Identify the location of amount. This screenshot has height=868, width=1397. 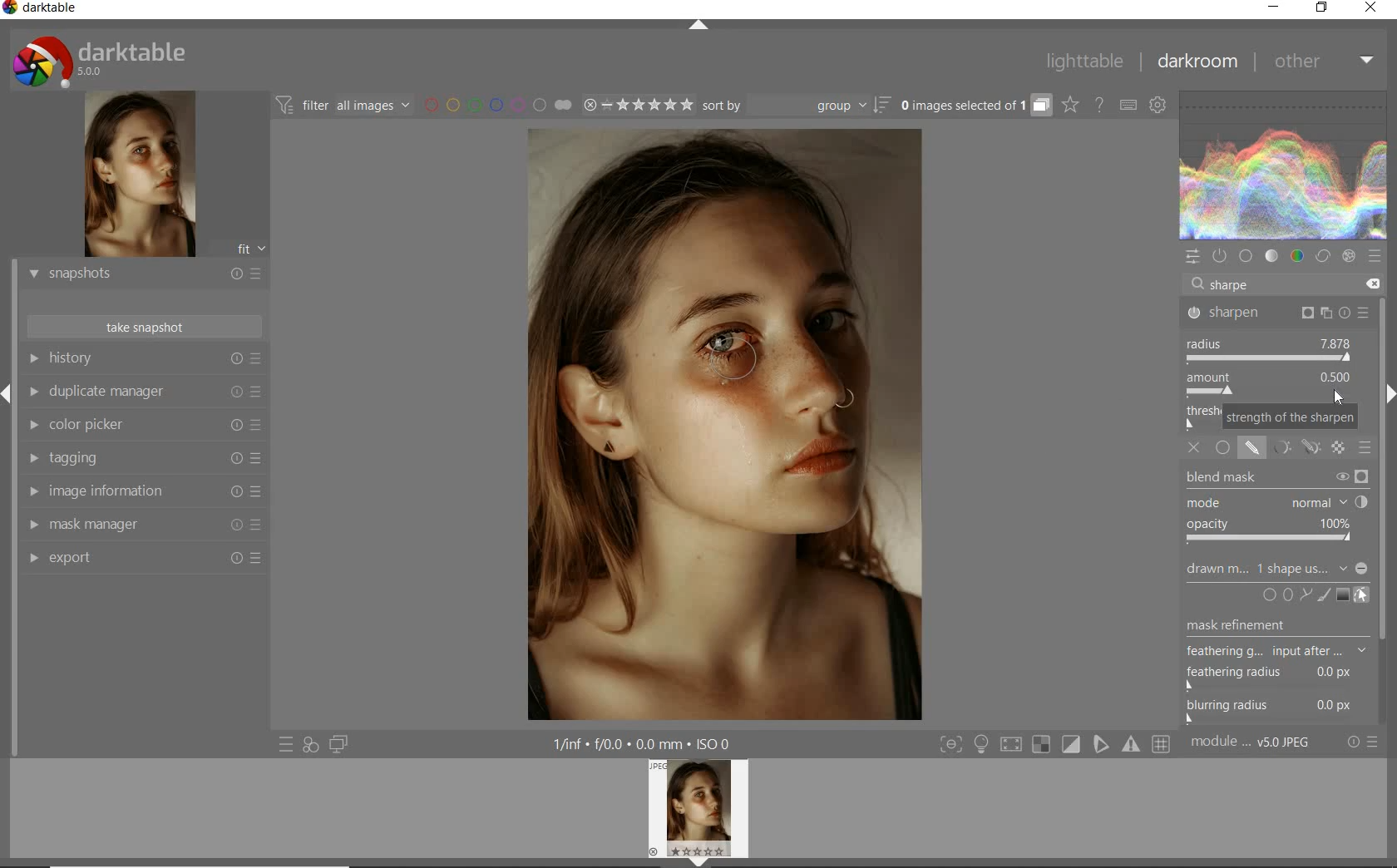
(1268, 385).